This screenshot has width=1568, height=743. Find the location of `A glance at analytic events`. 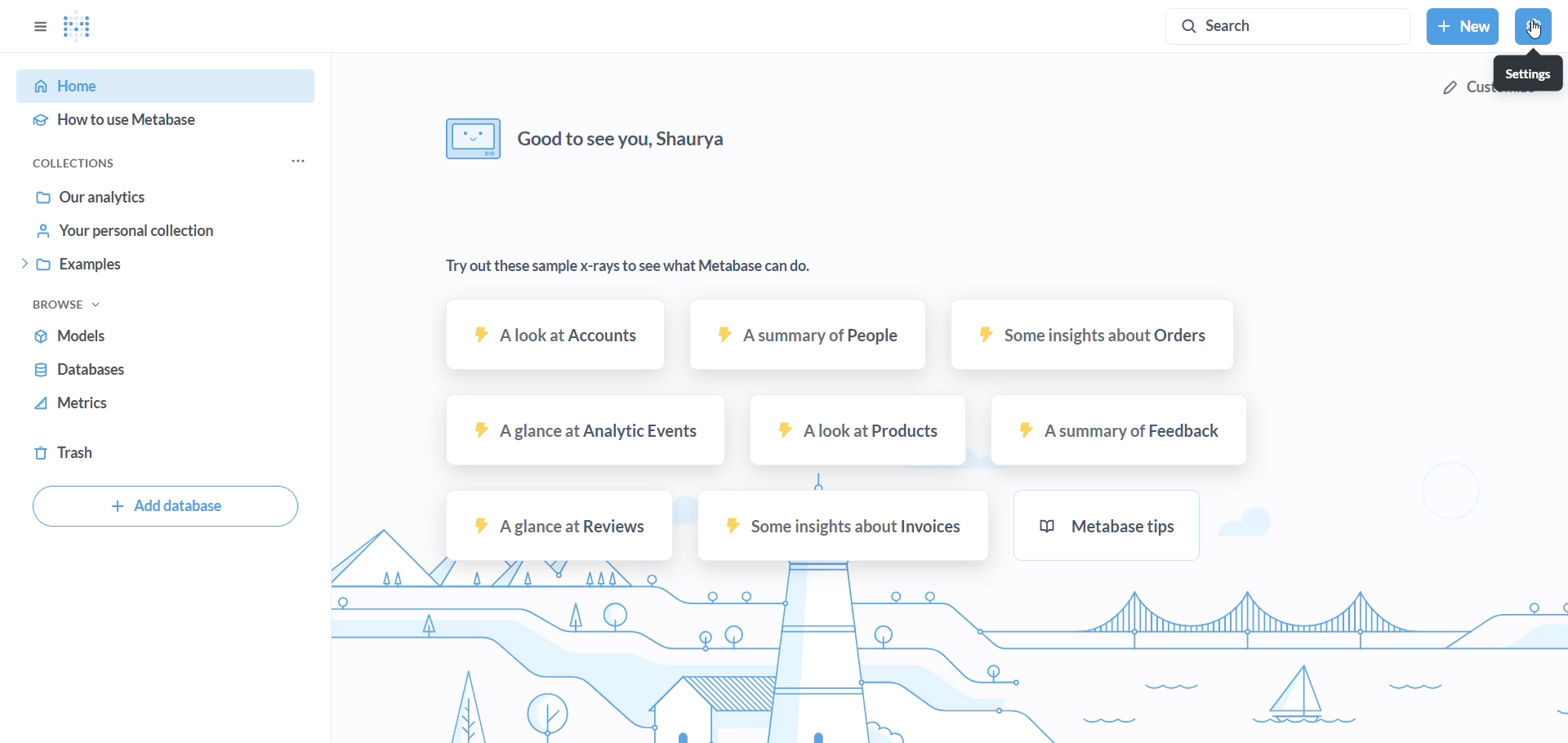

A glance at analytic events is located at coordinates (579, 429).